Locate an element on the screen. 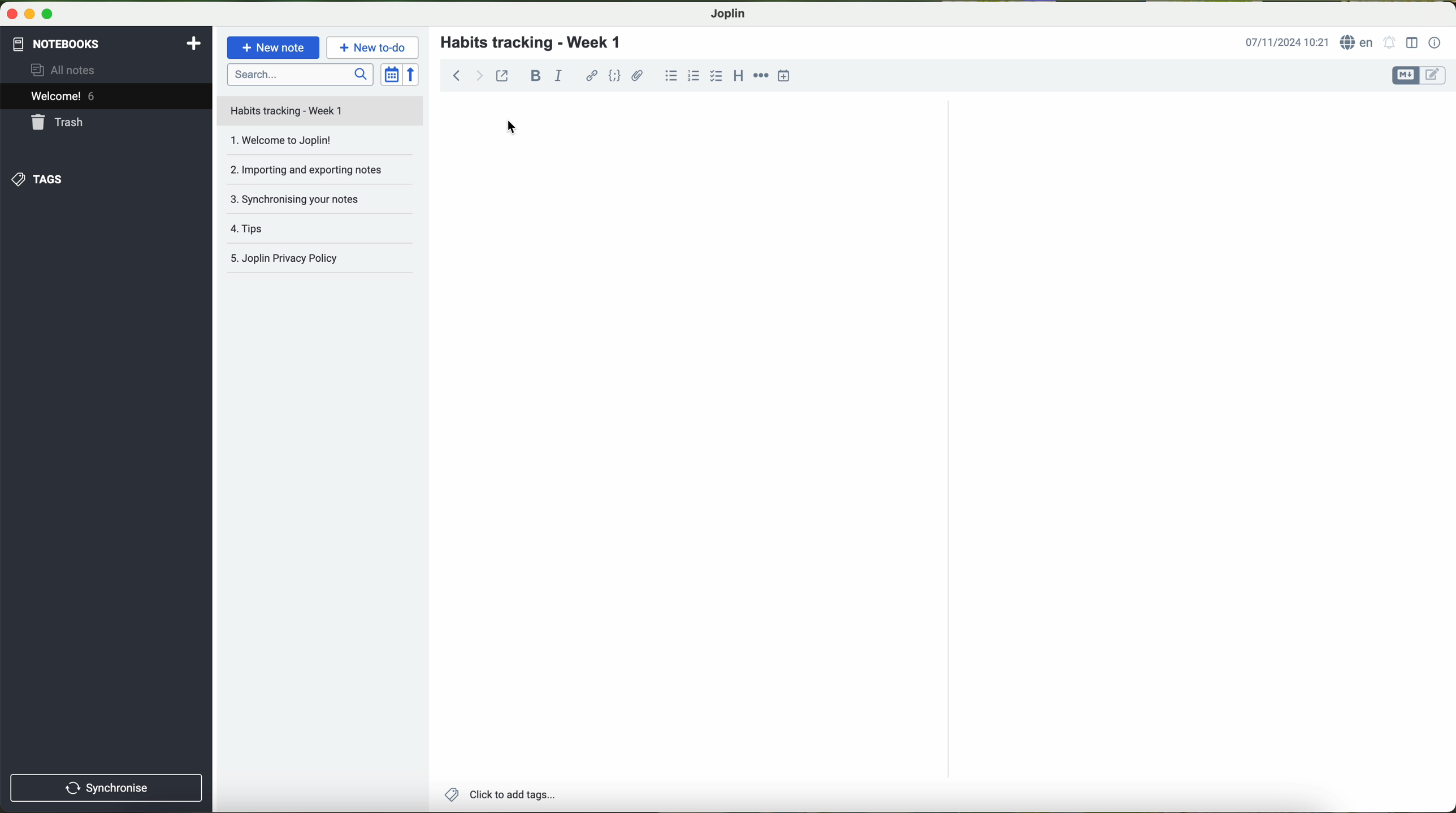  reverse sort order is located at coordinates (412, 74).